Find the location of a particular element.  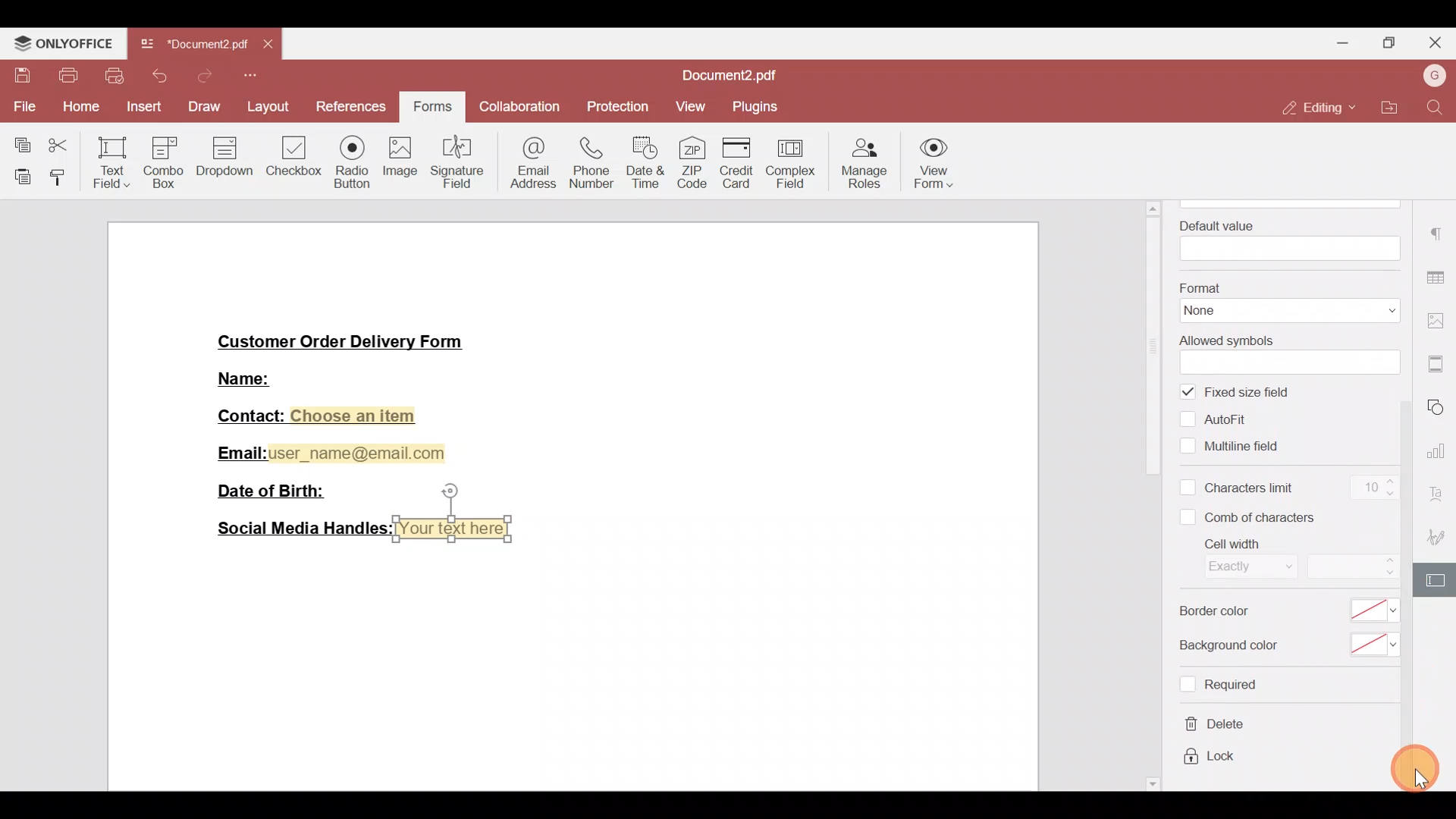

Format is located at coordinates (1286, 300).